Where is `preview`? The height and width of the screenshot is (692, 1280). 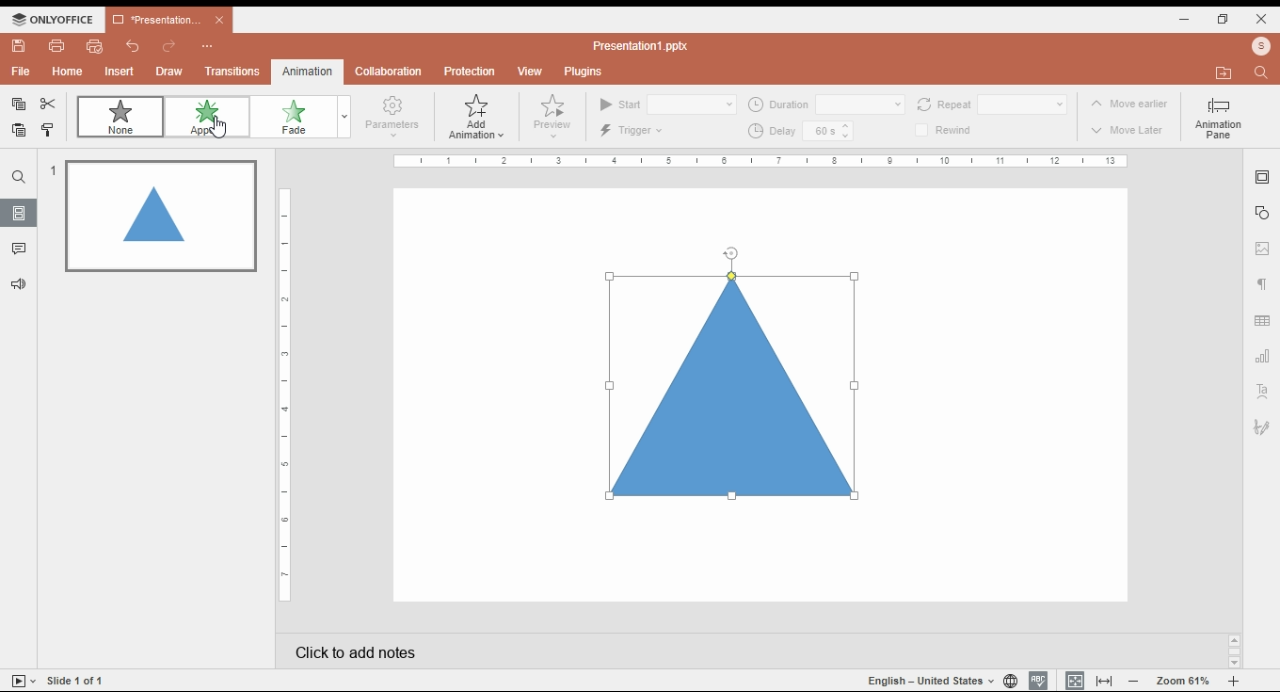
preview is located at coordinates (557, 119).